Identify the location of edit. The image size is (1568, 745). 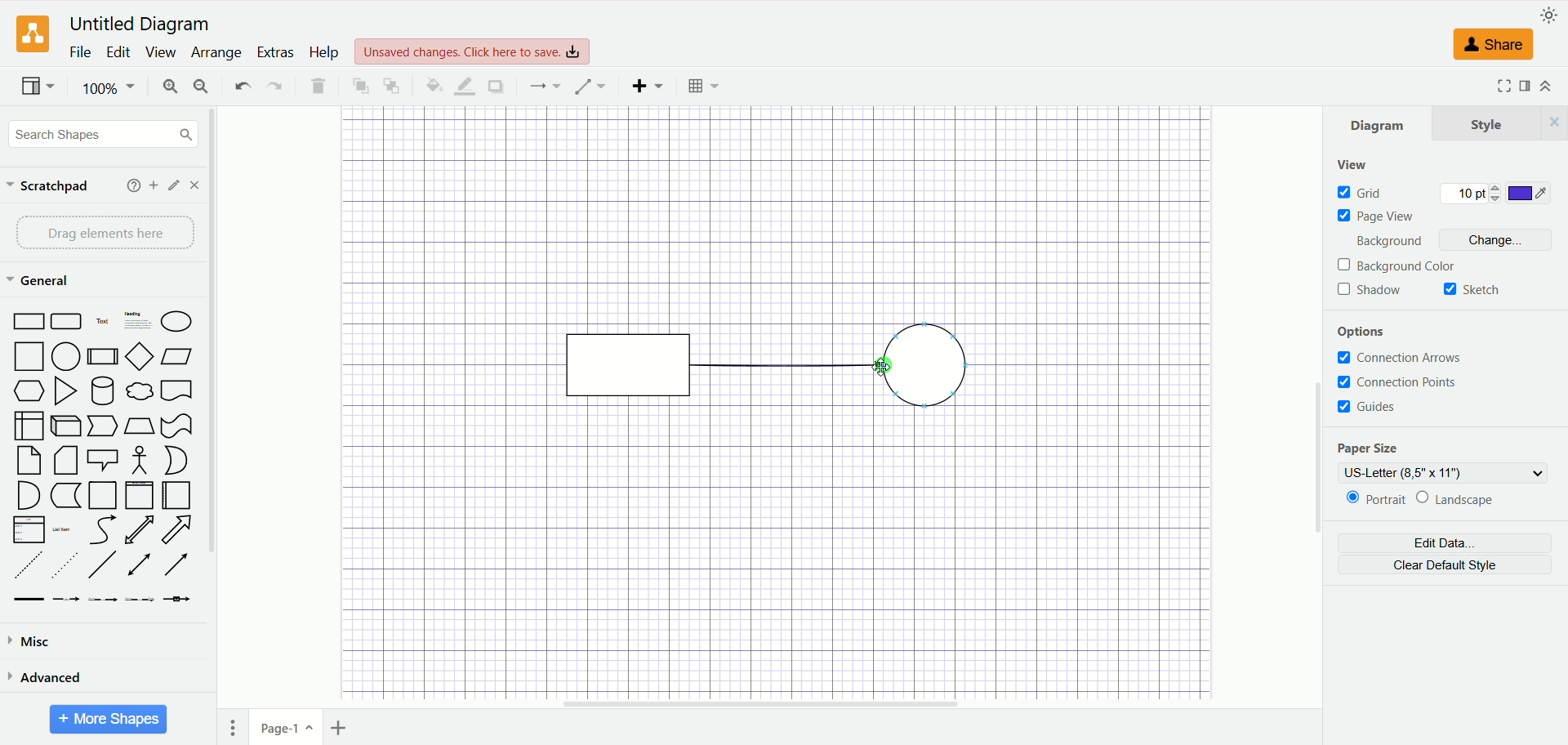
(174, 185).